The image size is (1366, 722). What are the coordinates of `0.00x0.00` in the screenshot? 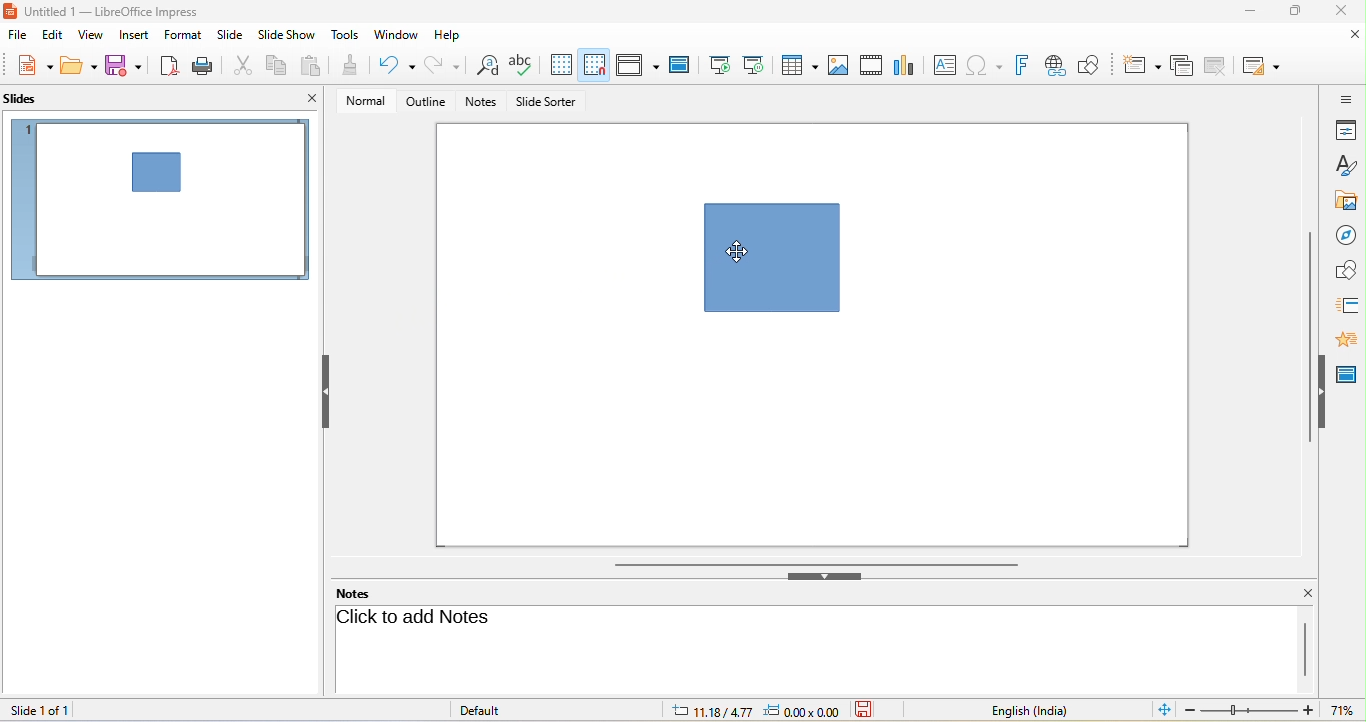 It's located at (806, 710).